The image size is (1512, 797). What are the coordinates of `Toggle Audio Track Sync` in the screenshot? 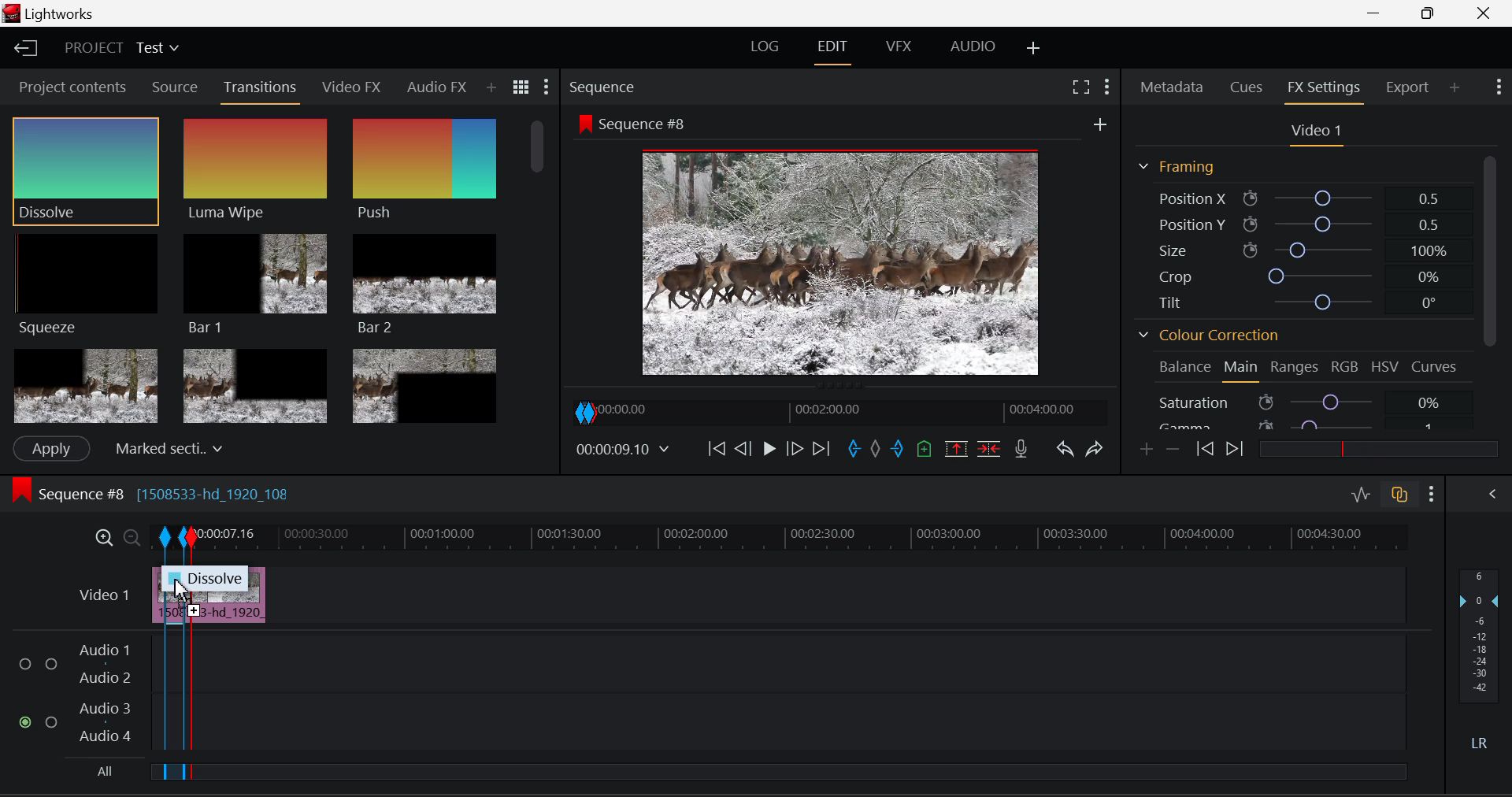 It's located at (1402, 496).